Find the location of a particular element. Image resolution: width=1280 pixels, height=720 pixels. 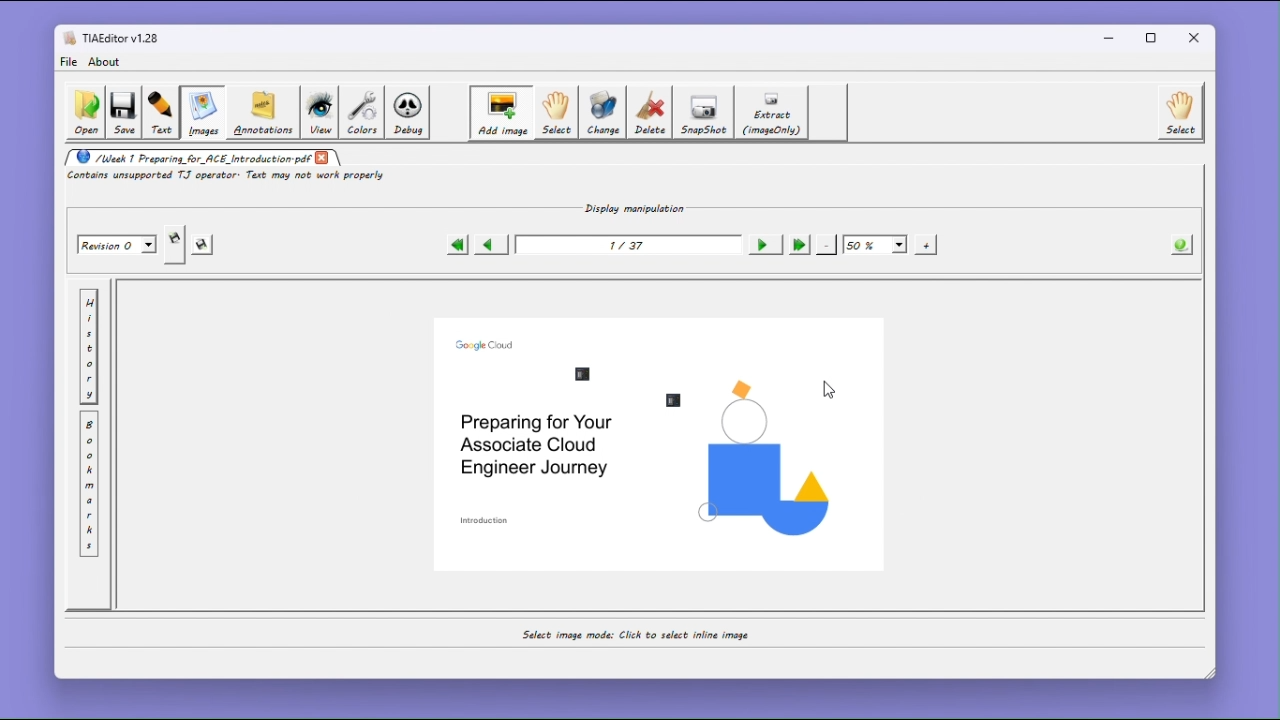

Delete  is located at coordinates (651, 112).